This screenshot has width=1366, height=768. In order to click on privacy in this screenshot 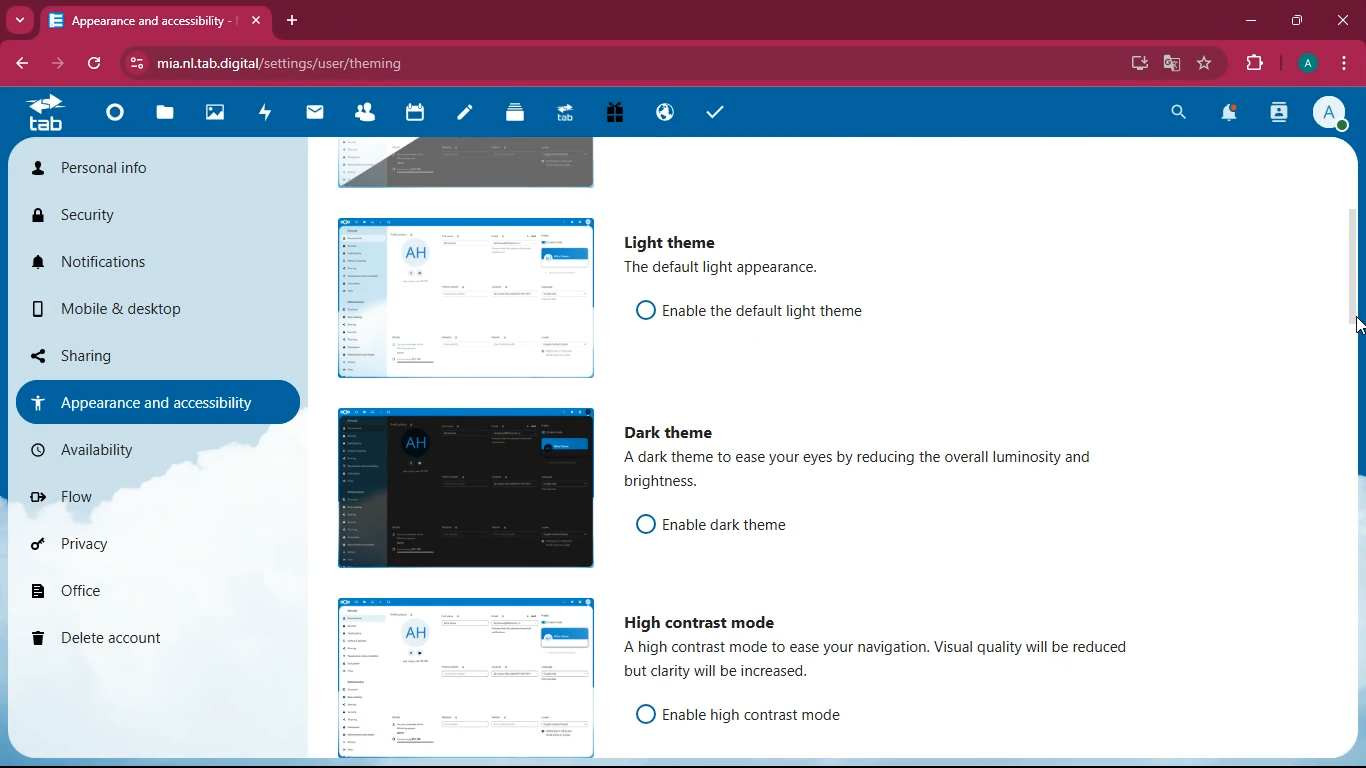, I will do `click(117, 551)`.